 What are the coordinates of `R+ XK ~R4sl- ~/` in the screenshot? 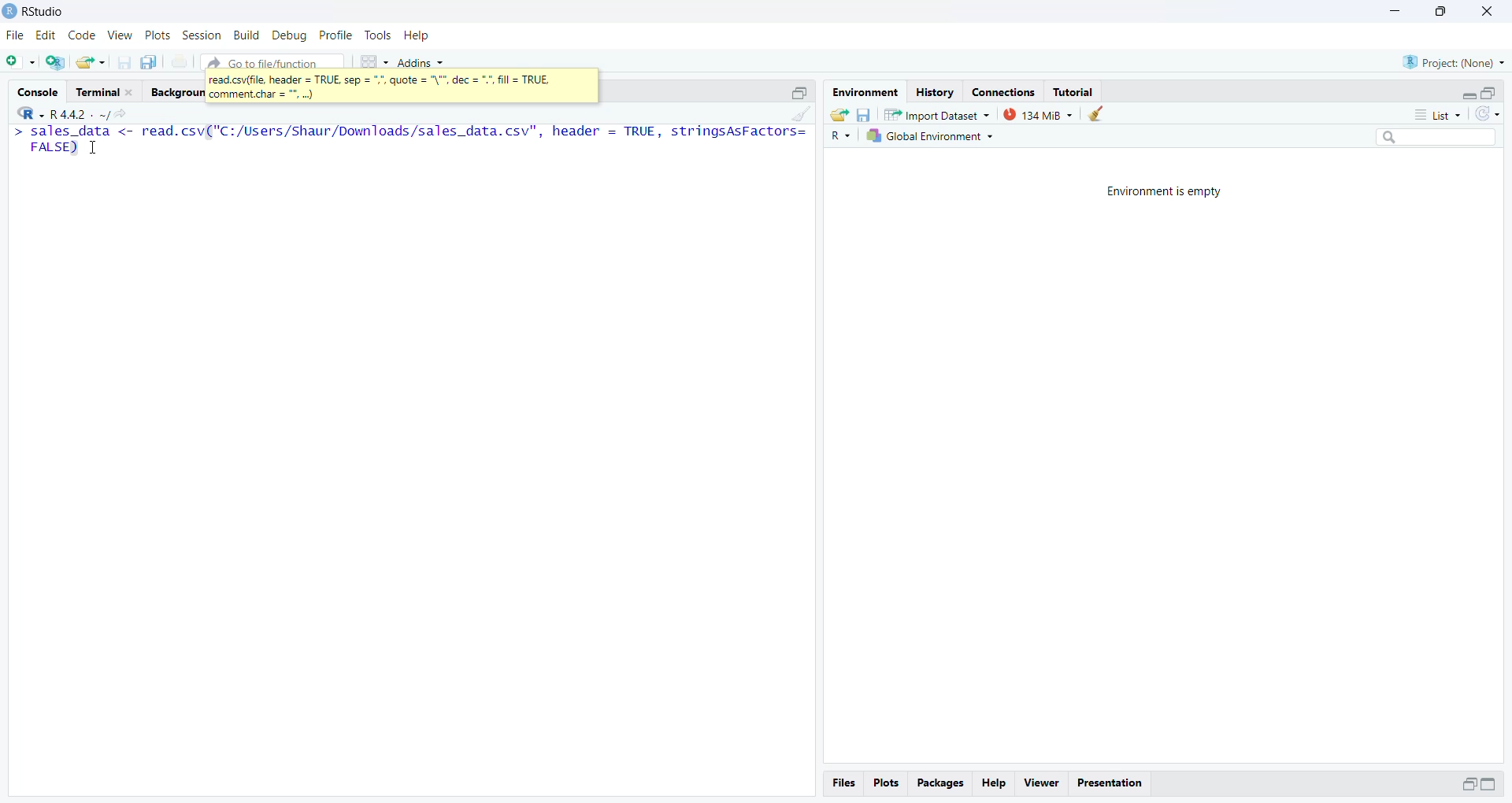 It's located at (72, 114).